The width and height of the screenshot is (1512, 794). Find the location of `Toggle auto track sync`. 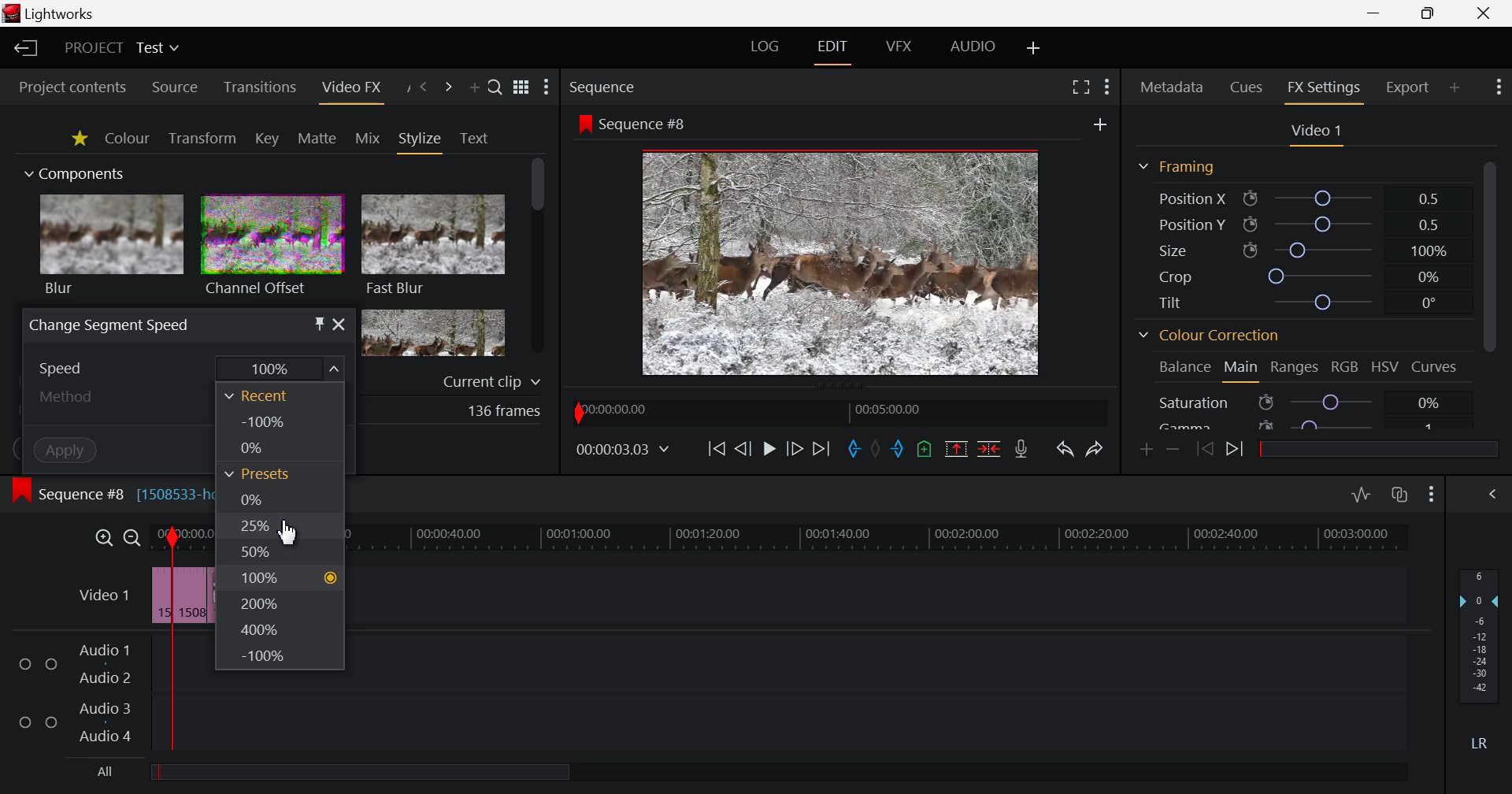

Toggle auto track sync is located at coordinates (1400, 495).